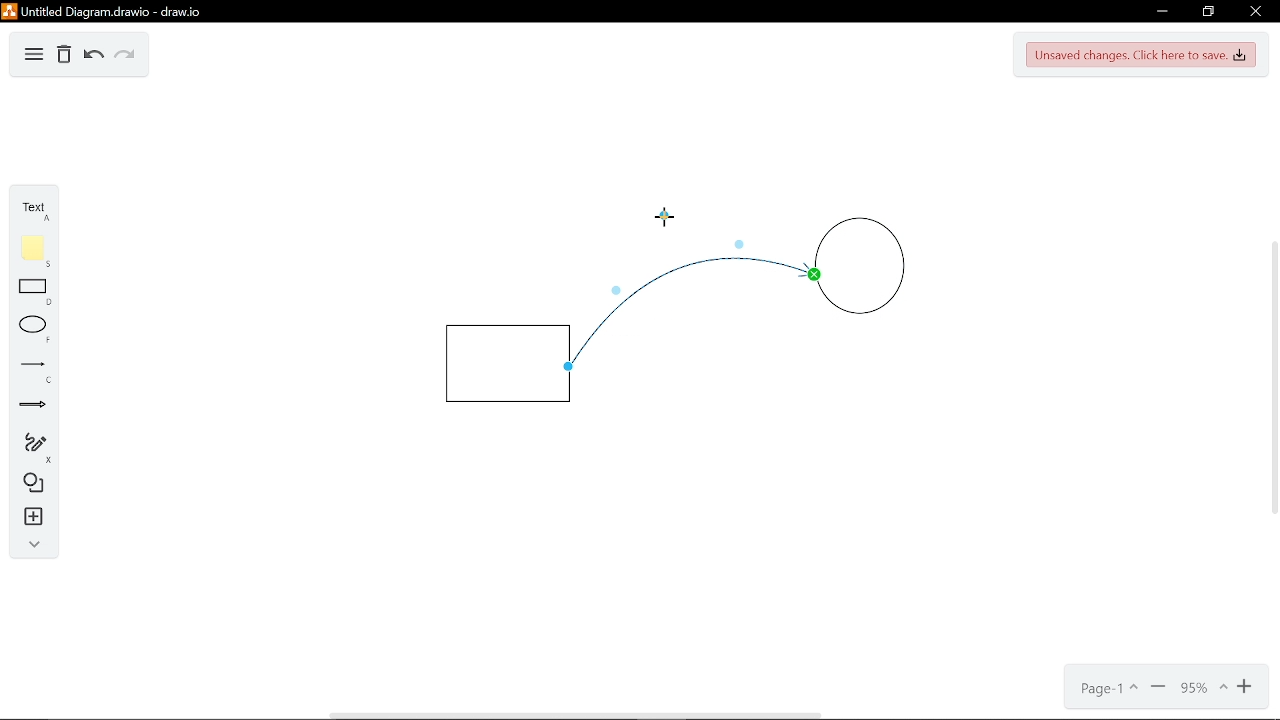 This screenshot has width=1280, height=720. Describe the element at coordinates (31, 327) in the screenshot. I see `ELlippse` at that location.